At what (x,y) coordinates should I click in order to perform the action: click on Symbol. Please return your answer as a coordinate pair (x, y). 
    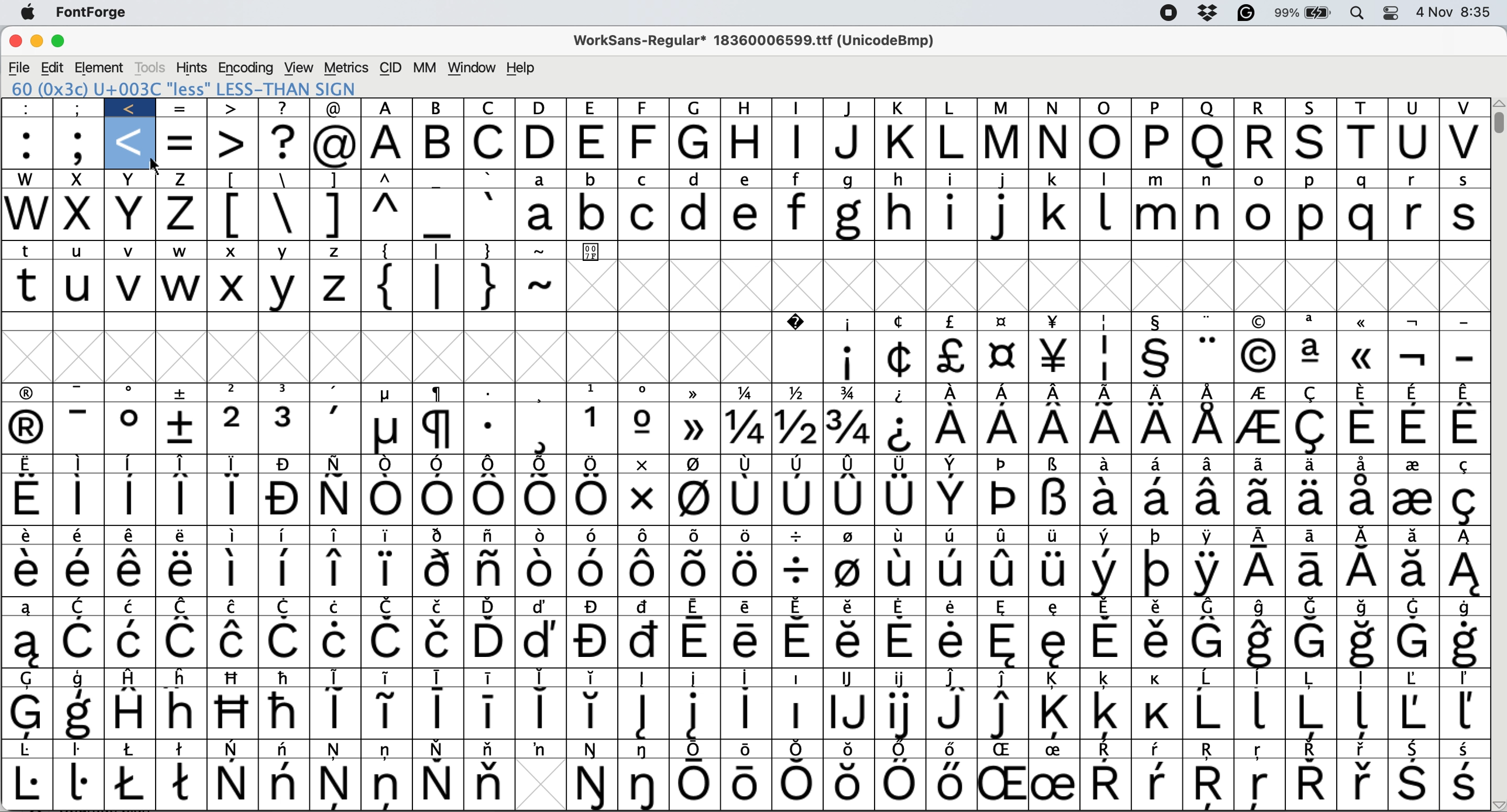
    Looking at the image, I should click on (1157, 714).